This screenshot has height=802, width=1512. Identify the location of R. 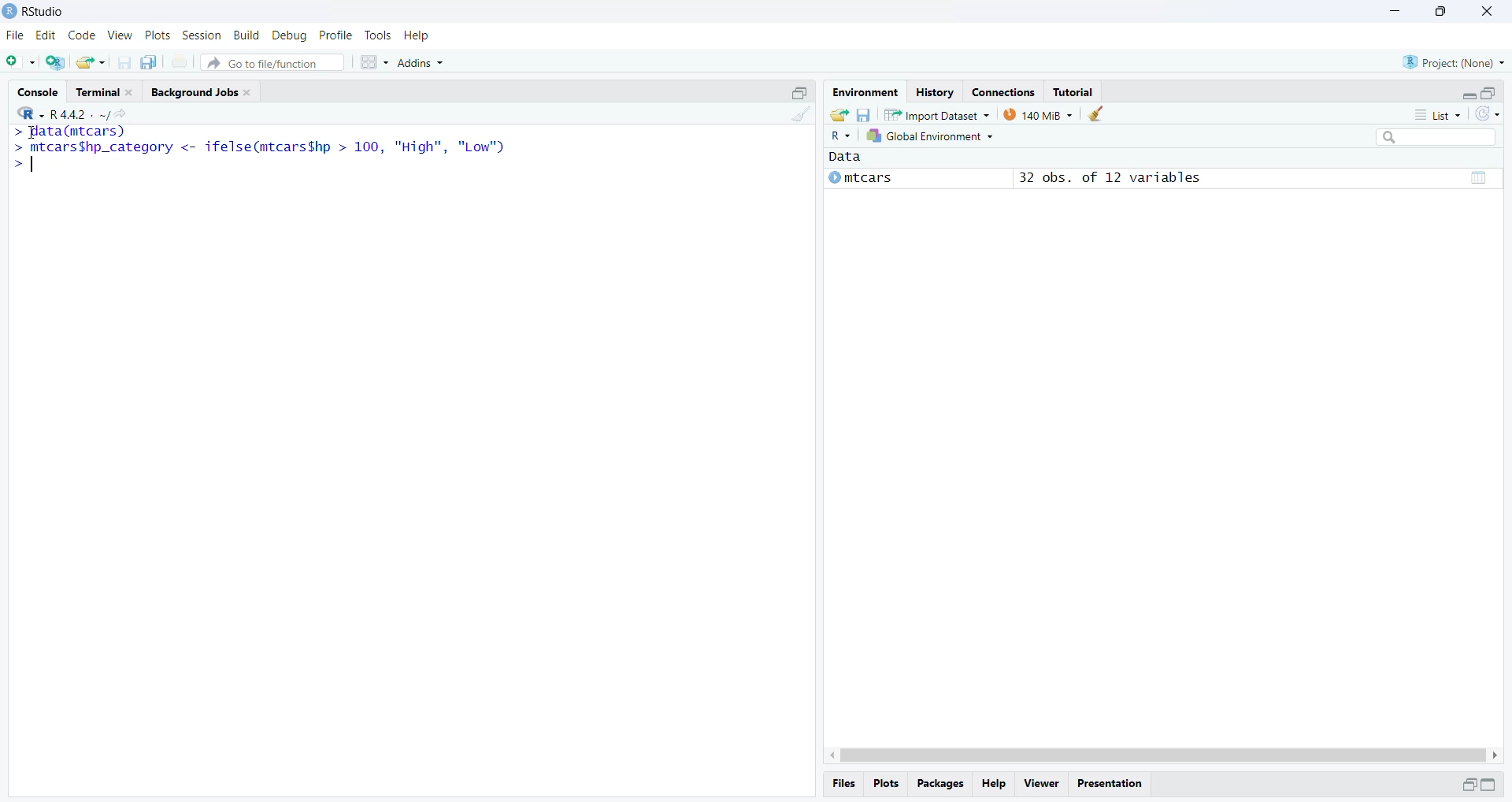
(842, 136).